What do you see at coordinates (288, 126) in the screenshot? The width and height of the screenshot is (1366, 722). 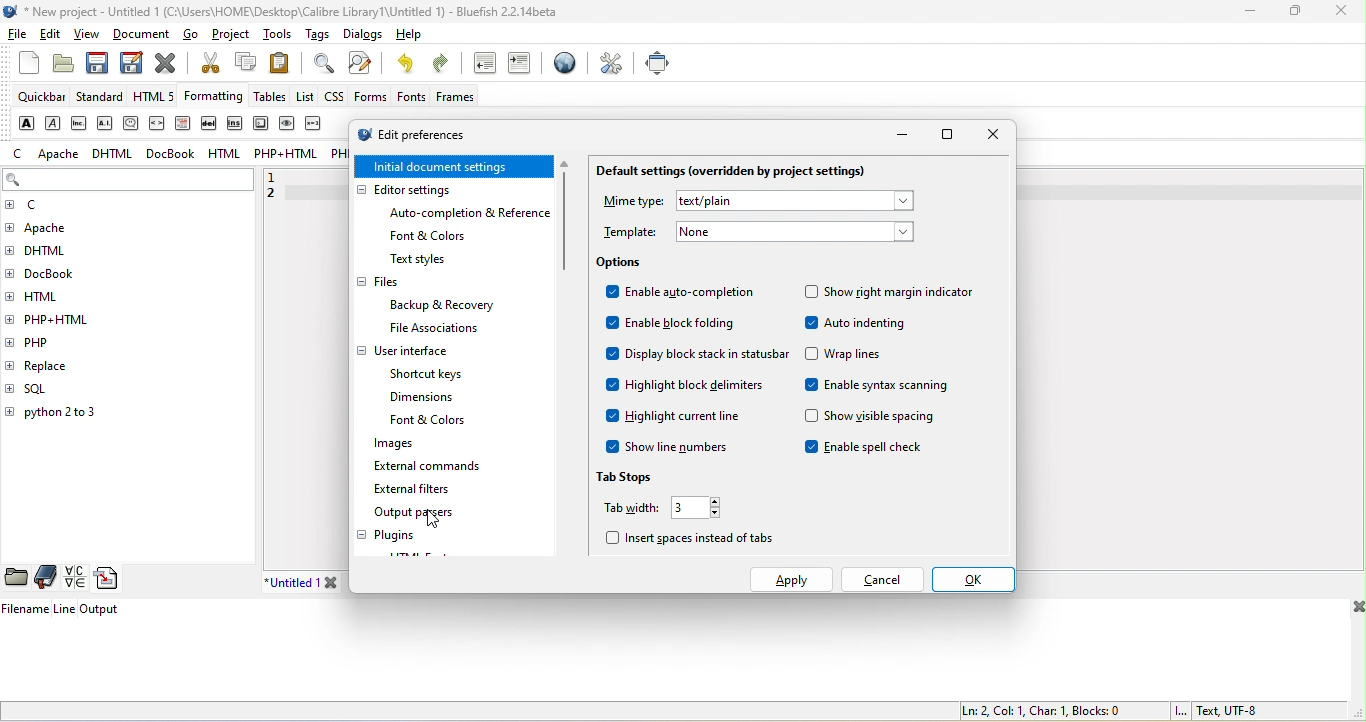 I see `sample` at bounding box center [288, 126].